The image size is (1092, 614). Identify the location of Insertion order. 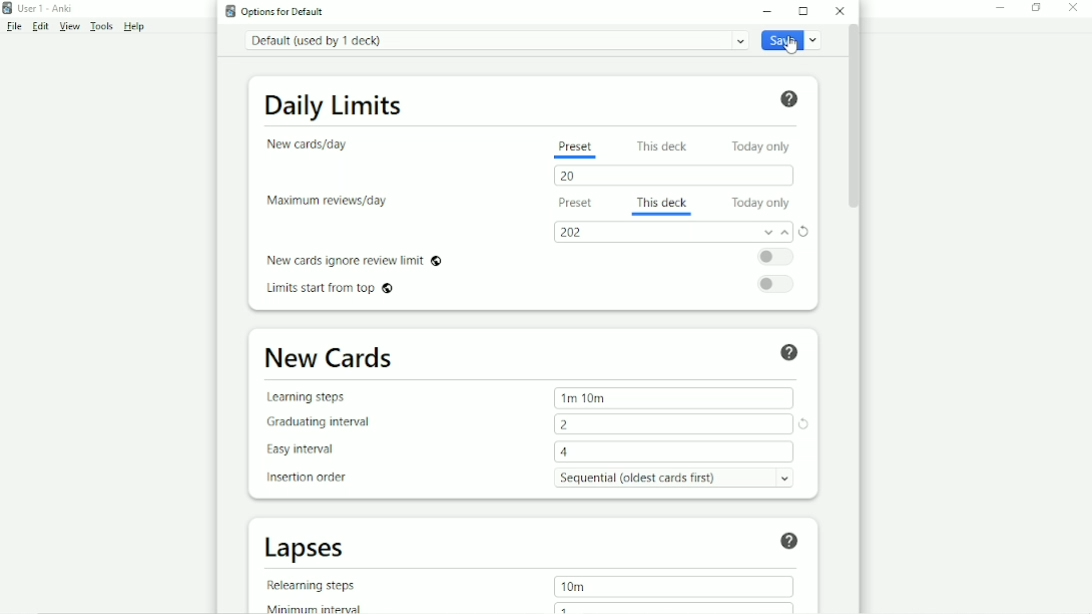
(313, 478).